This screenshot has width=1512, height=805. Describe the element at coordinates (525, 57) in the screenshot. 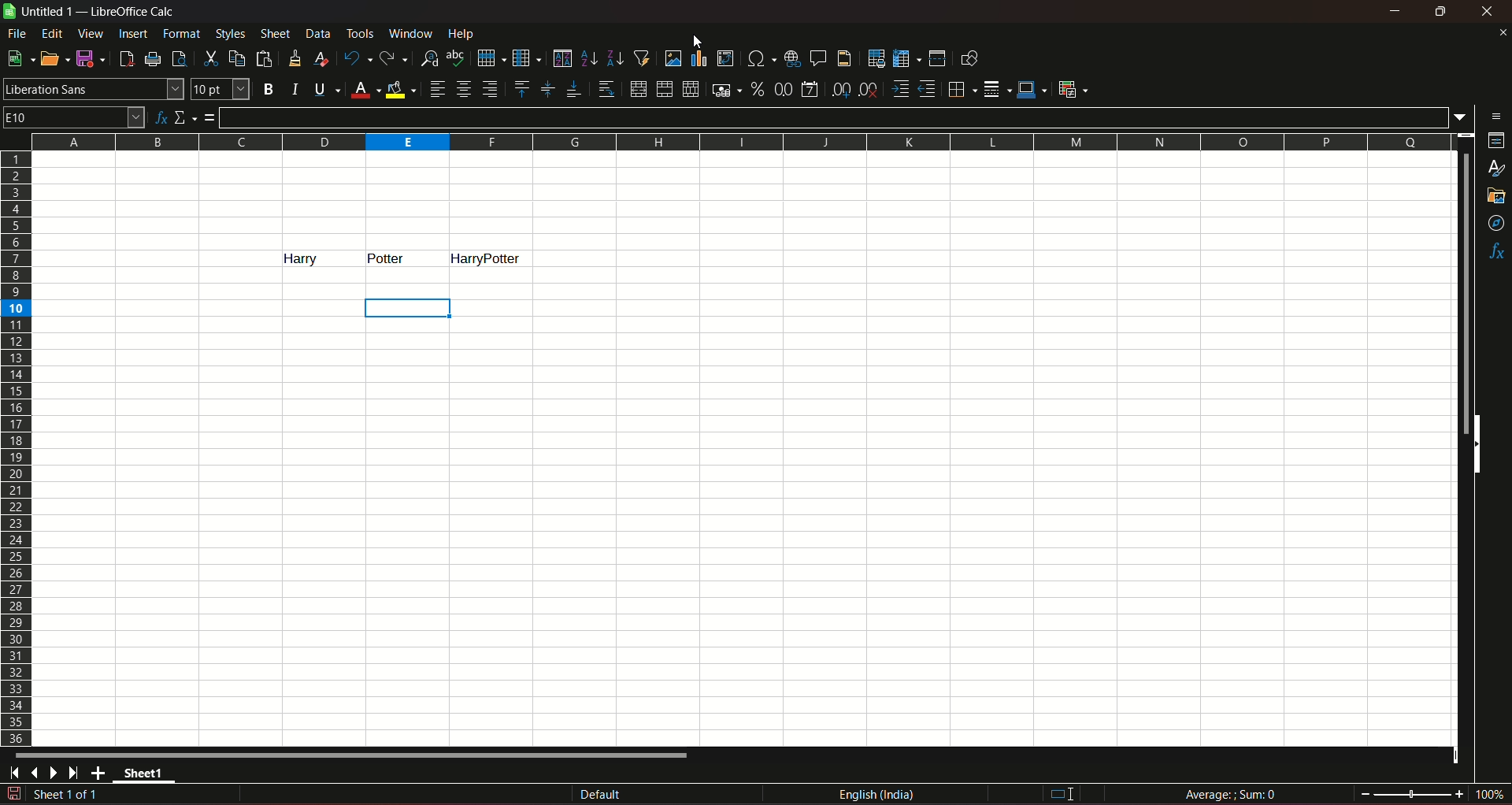

I see `column` at that location.